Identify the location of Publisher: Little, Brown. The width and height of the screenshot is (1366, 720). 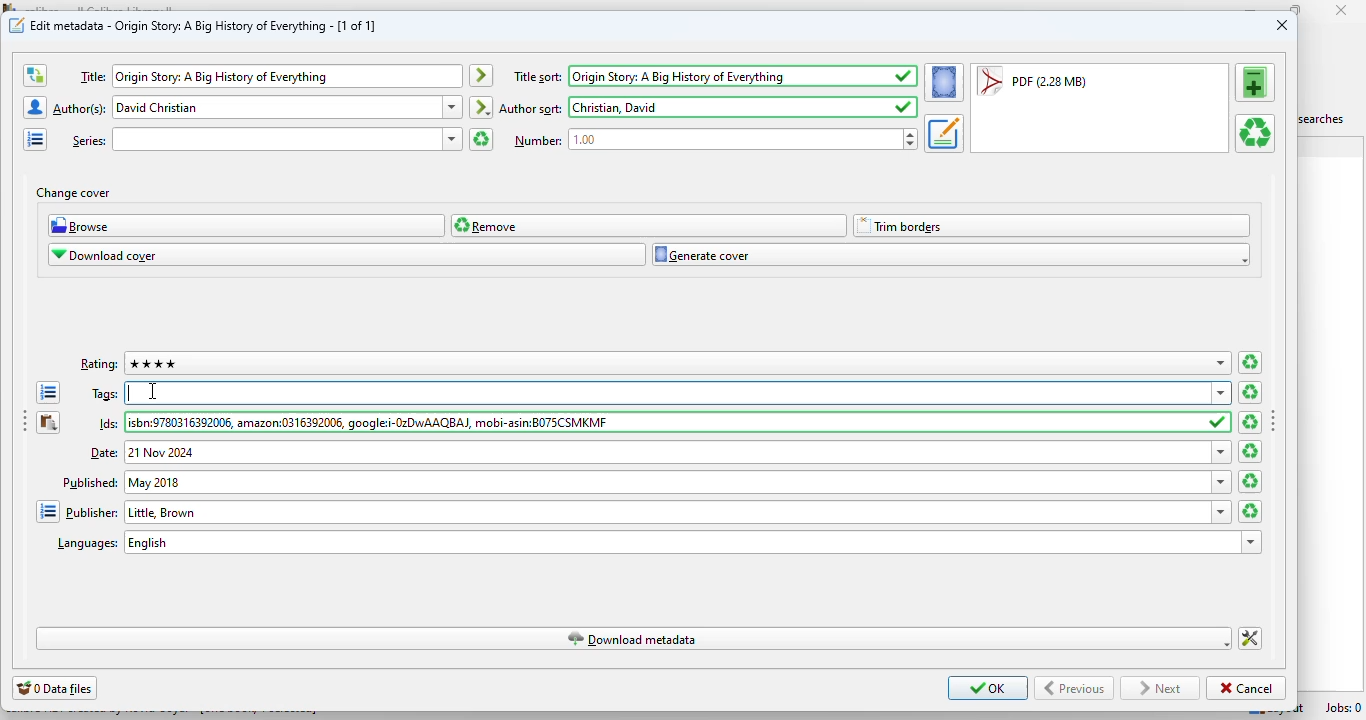
(667, 512).